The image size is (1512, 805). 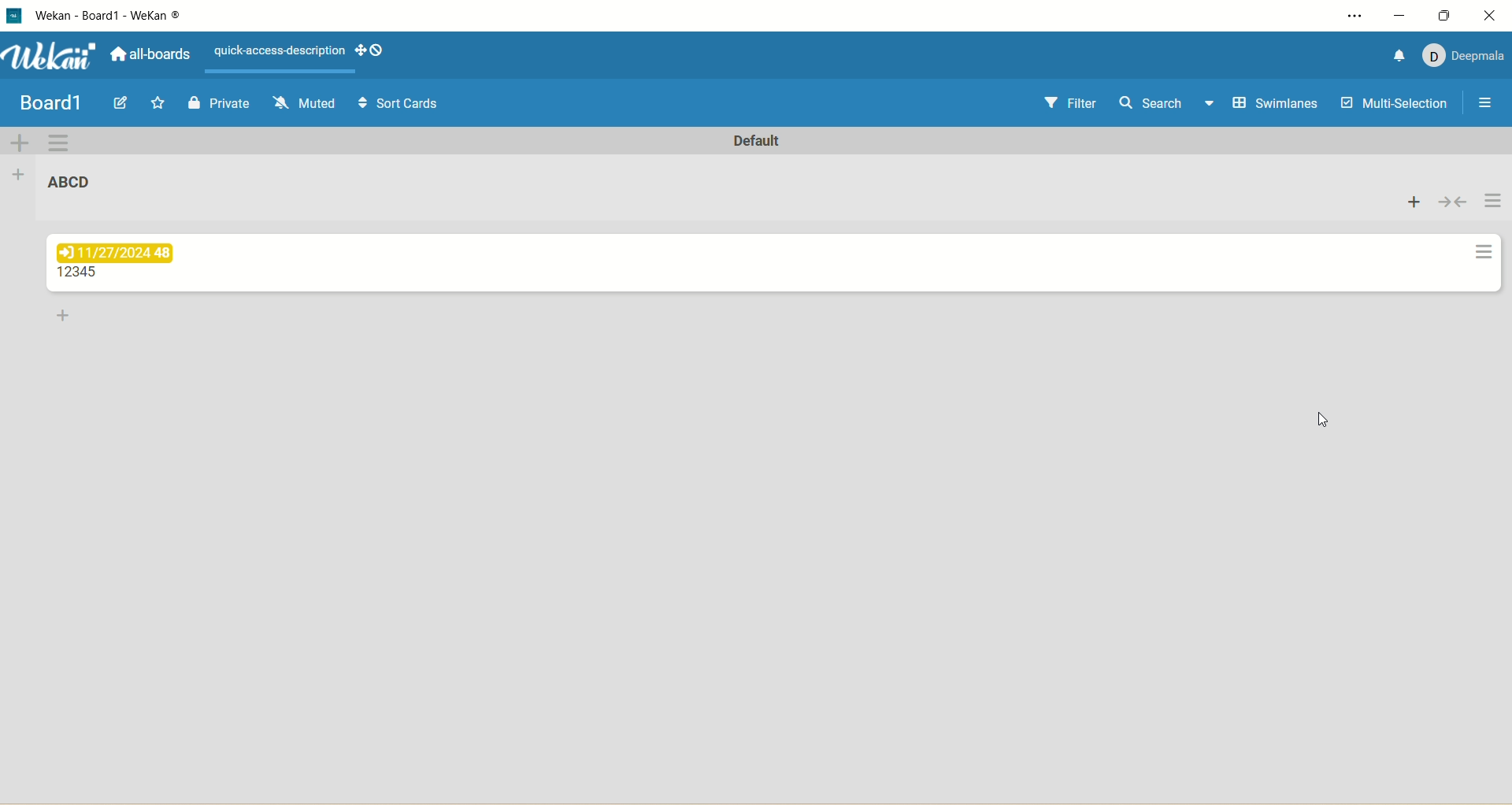 What do you see at coordinates (306, 103) in the screenshot?
I see `muted` at bounding box center [306, 103].